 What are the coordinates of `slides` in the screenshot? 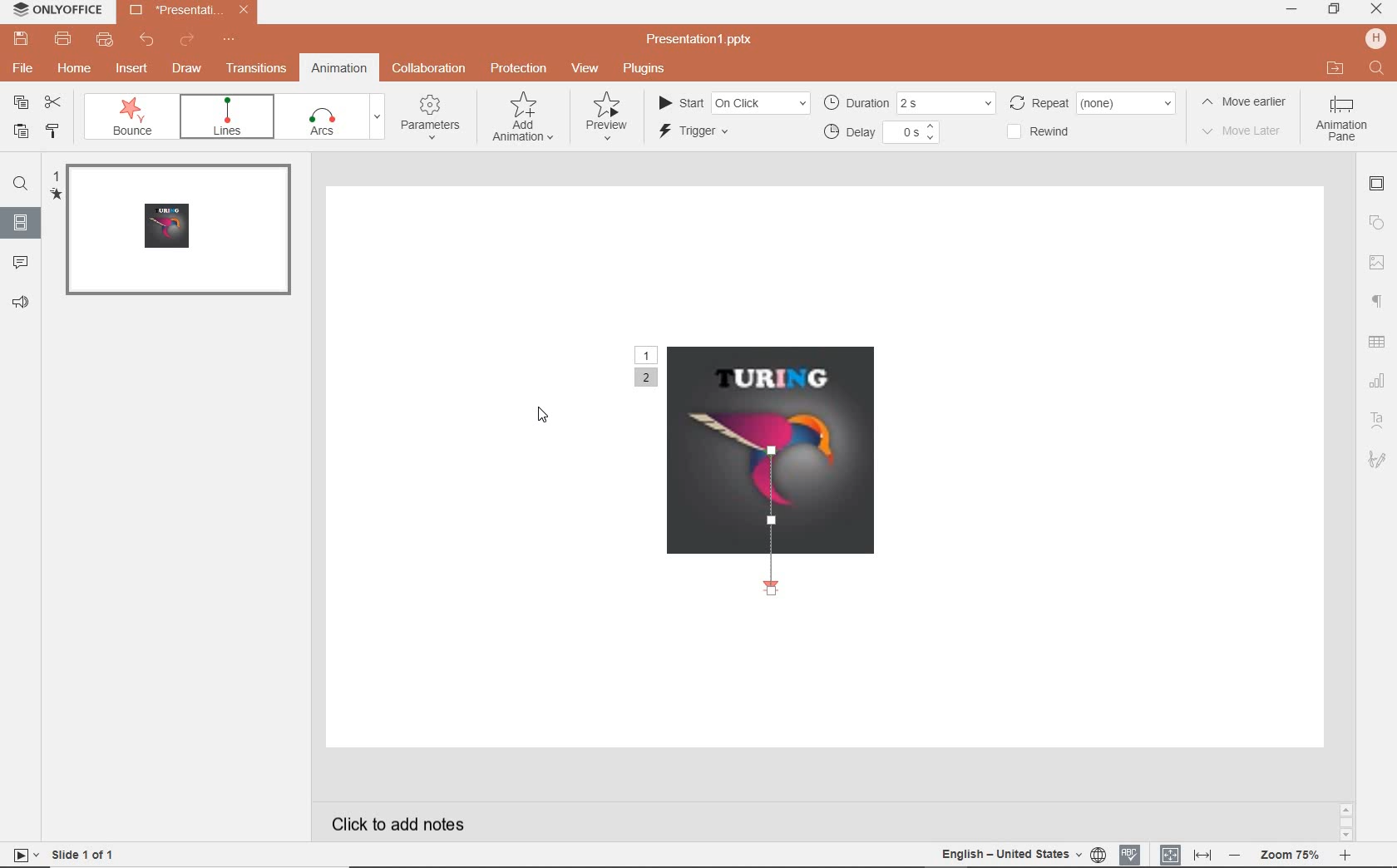 It's located at (20, 225).